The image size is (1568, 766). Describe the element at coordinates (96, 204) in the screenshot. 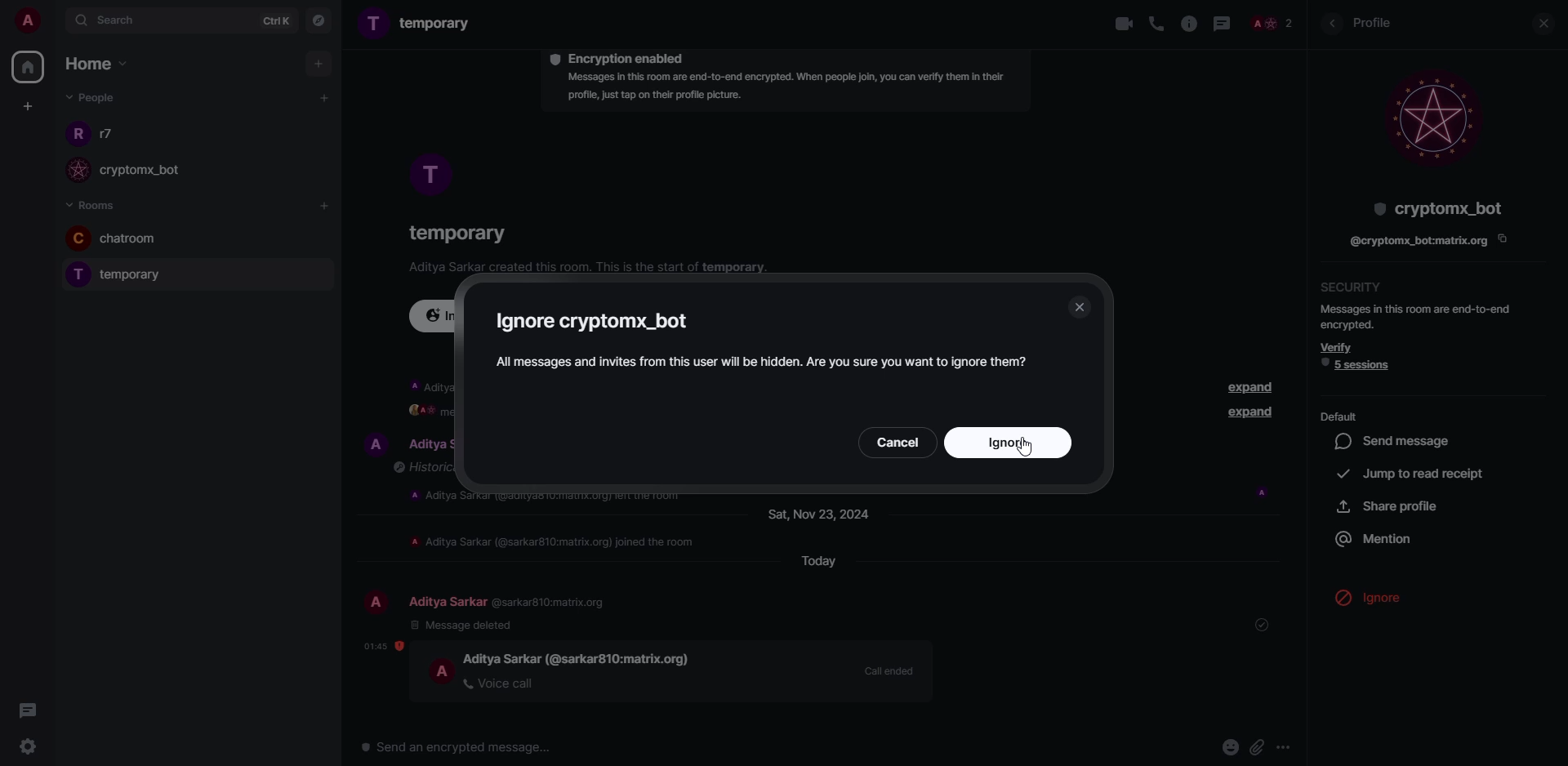

I see `rooms` at that location.